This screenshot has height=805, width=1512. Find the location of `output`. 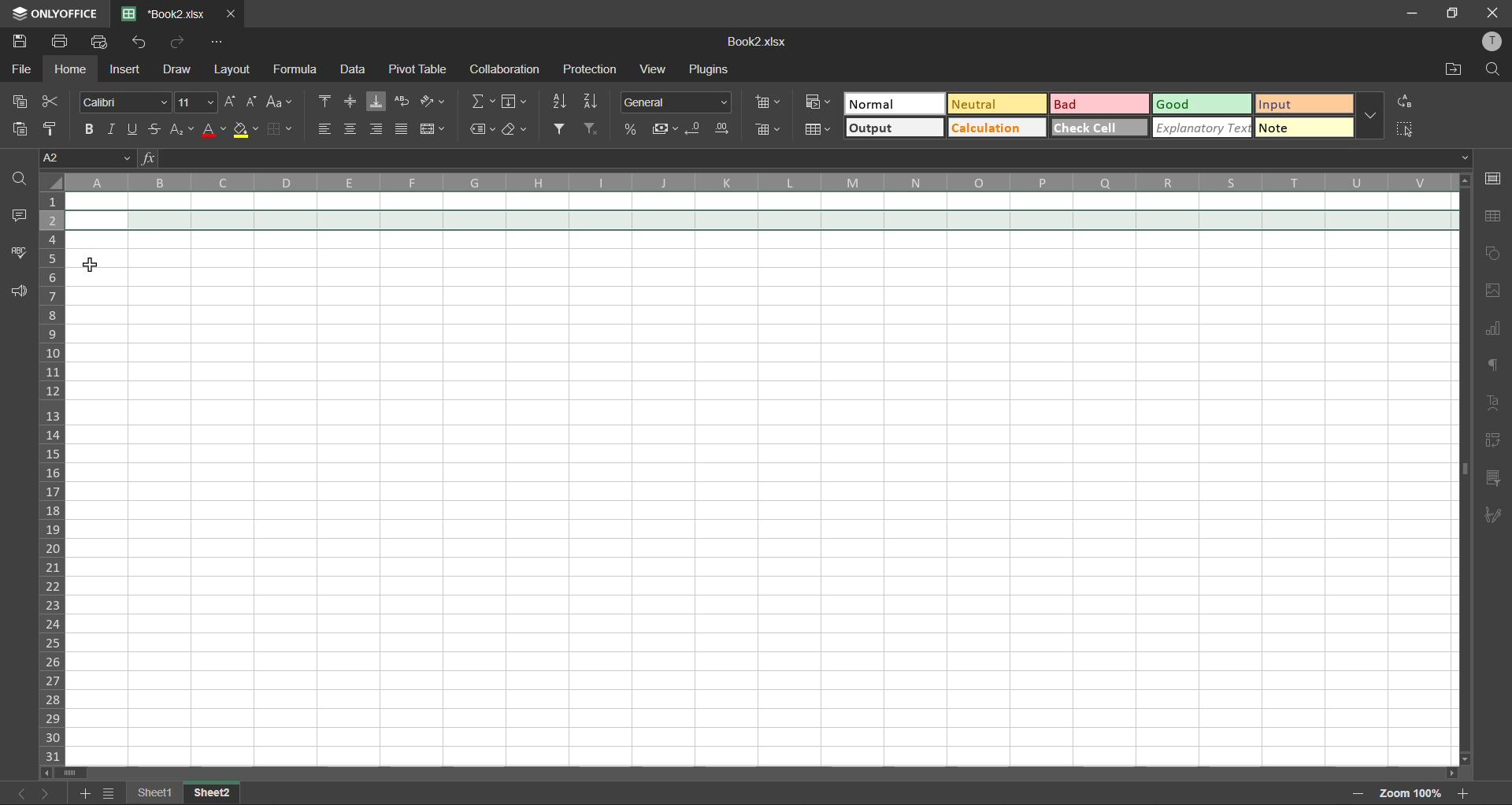

output is located at coordinates (895, 128).